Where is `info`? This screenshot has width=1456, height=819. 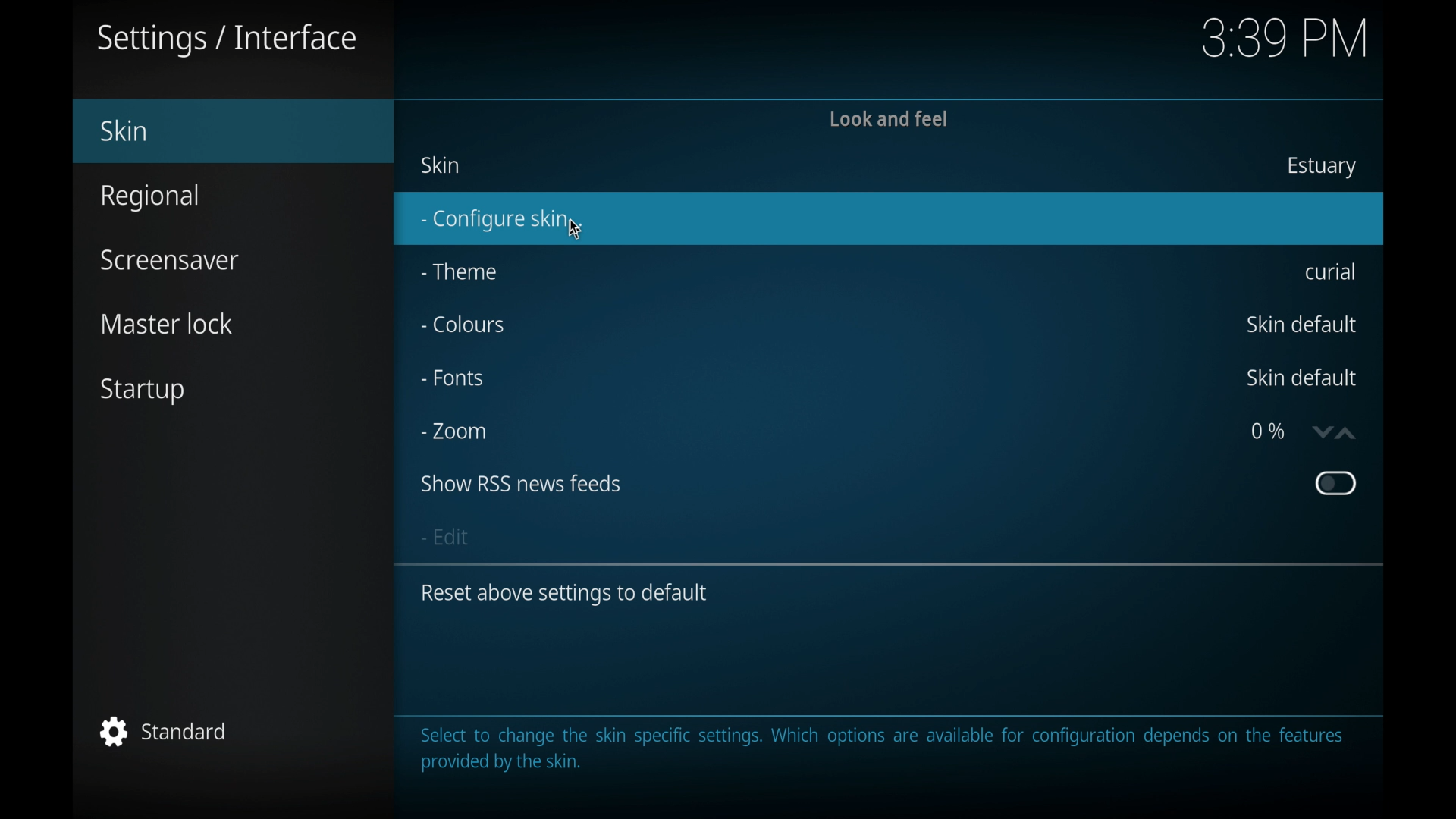
info is located at coordinates (882, 750).